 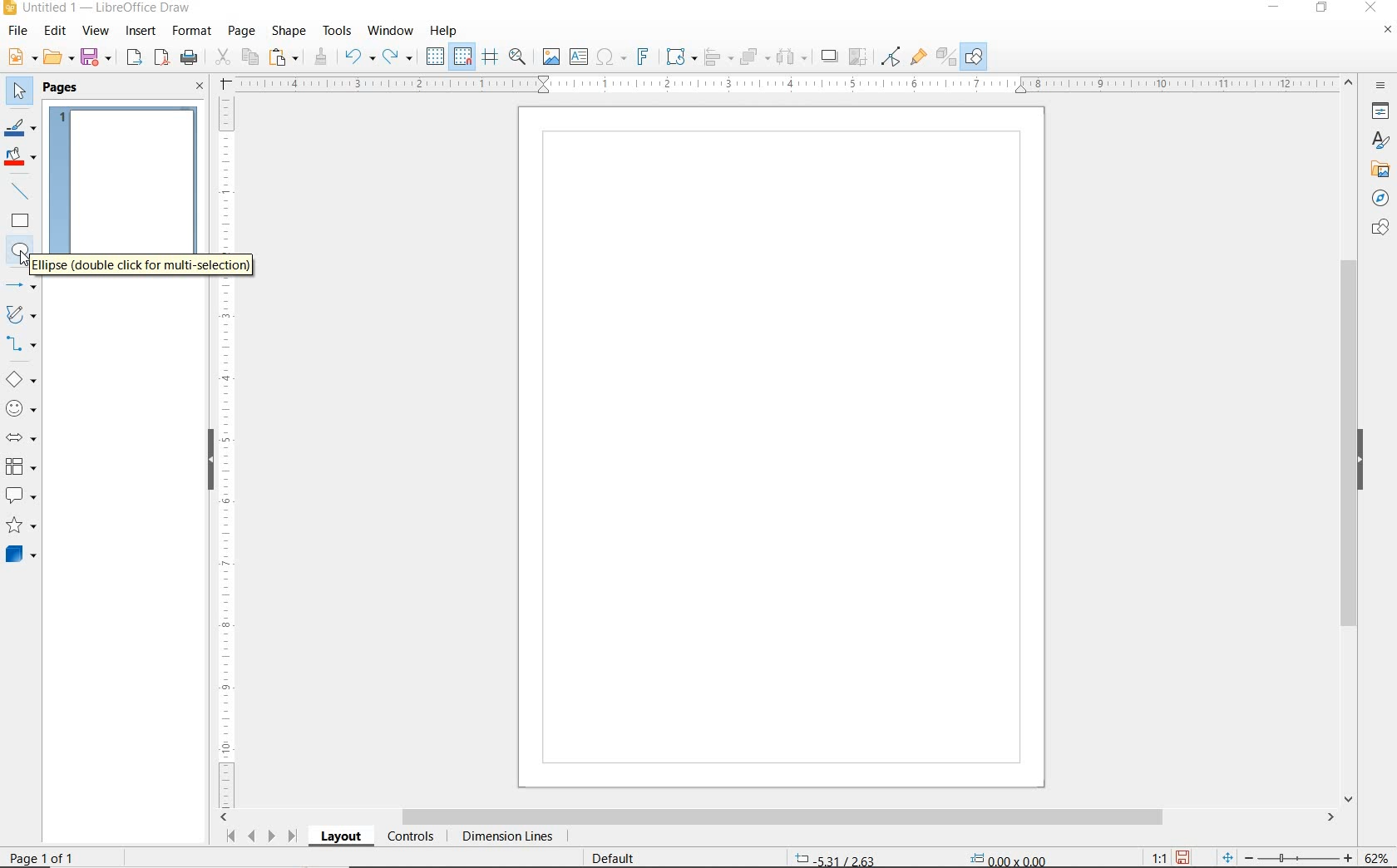 What do you see at coordinates (58, 59) in the screenshot?
I see `OPEN` at bounding box center [58, 59].